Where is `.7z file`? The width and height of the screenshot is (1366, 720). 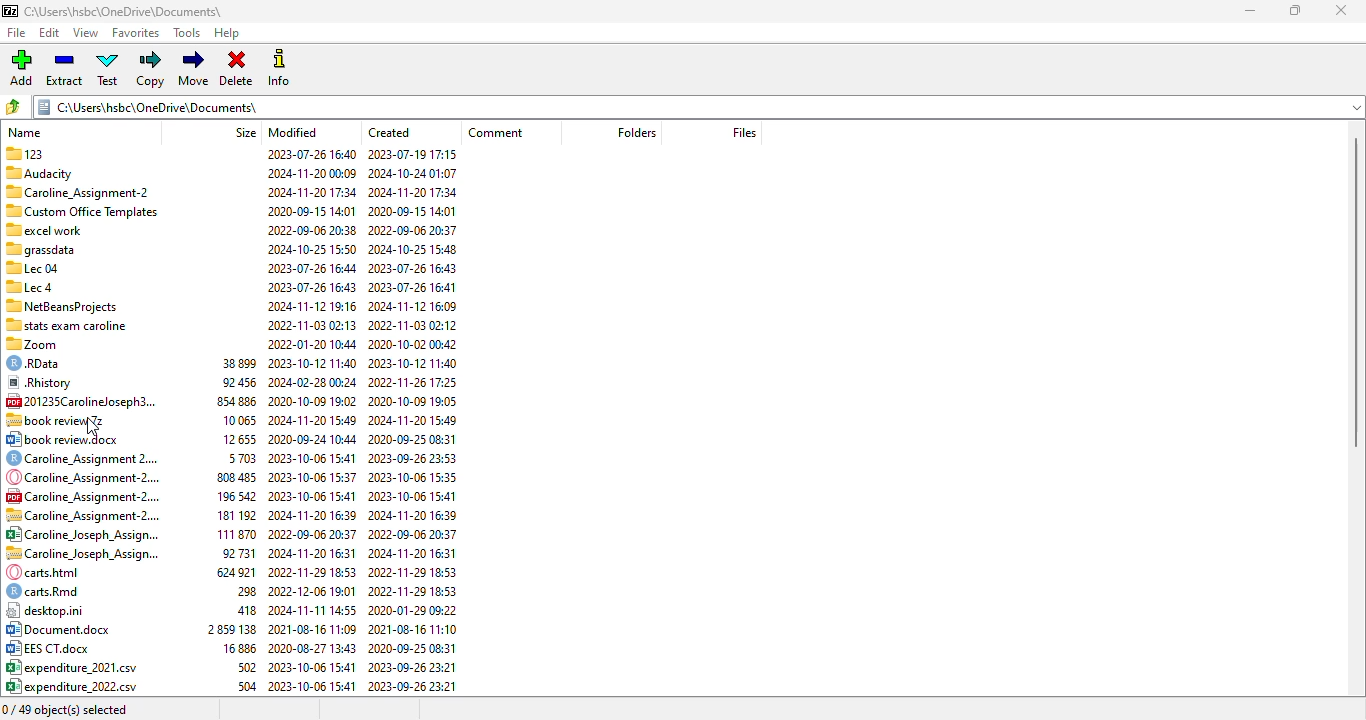
.7z file is located at coordinates (55, 422).